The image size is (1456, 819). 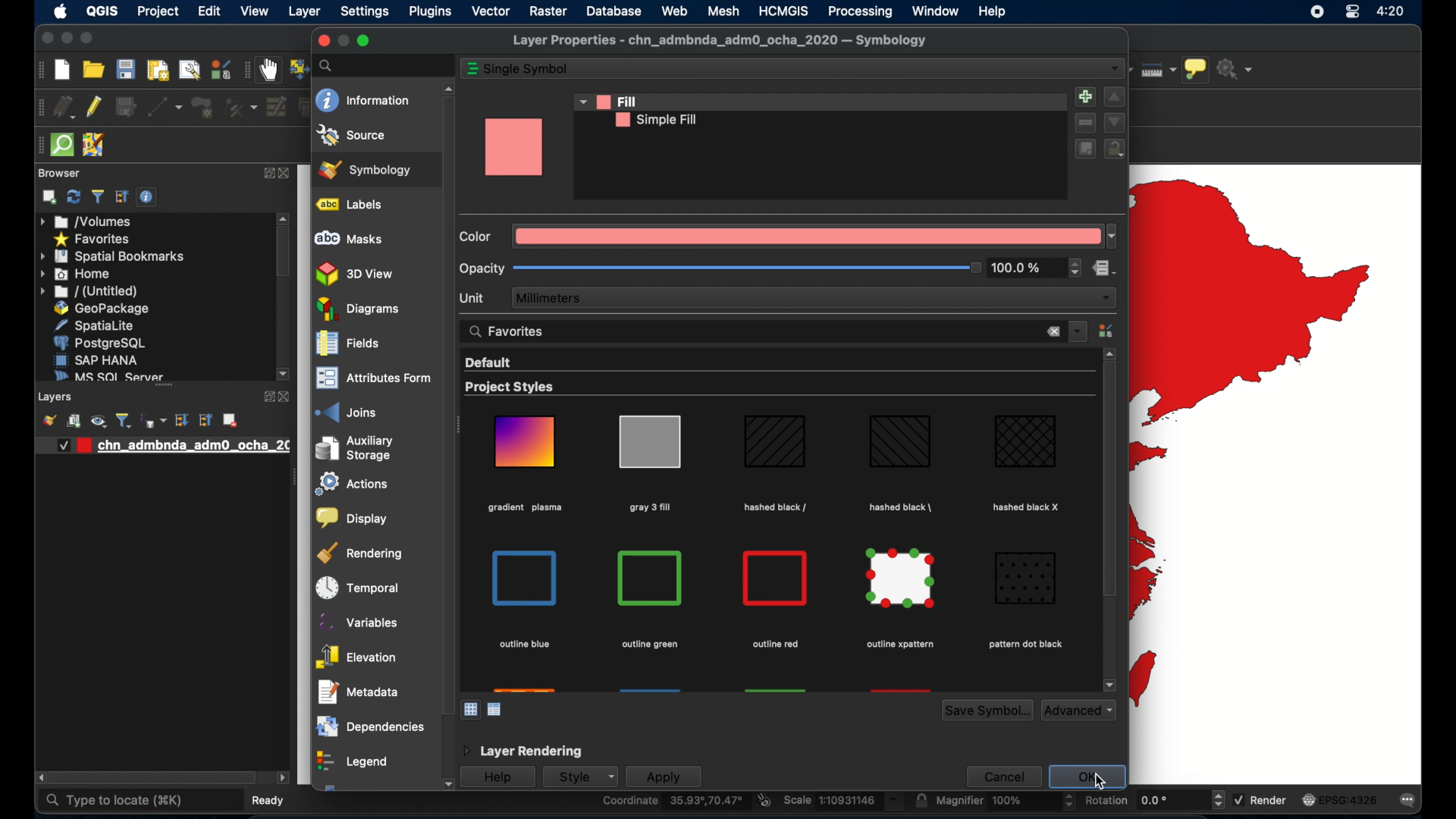 I want to click on search bar, so click(x=383, y=65).